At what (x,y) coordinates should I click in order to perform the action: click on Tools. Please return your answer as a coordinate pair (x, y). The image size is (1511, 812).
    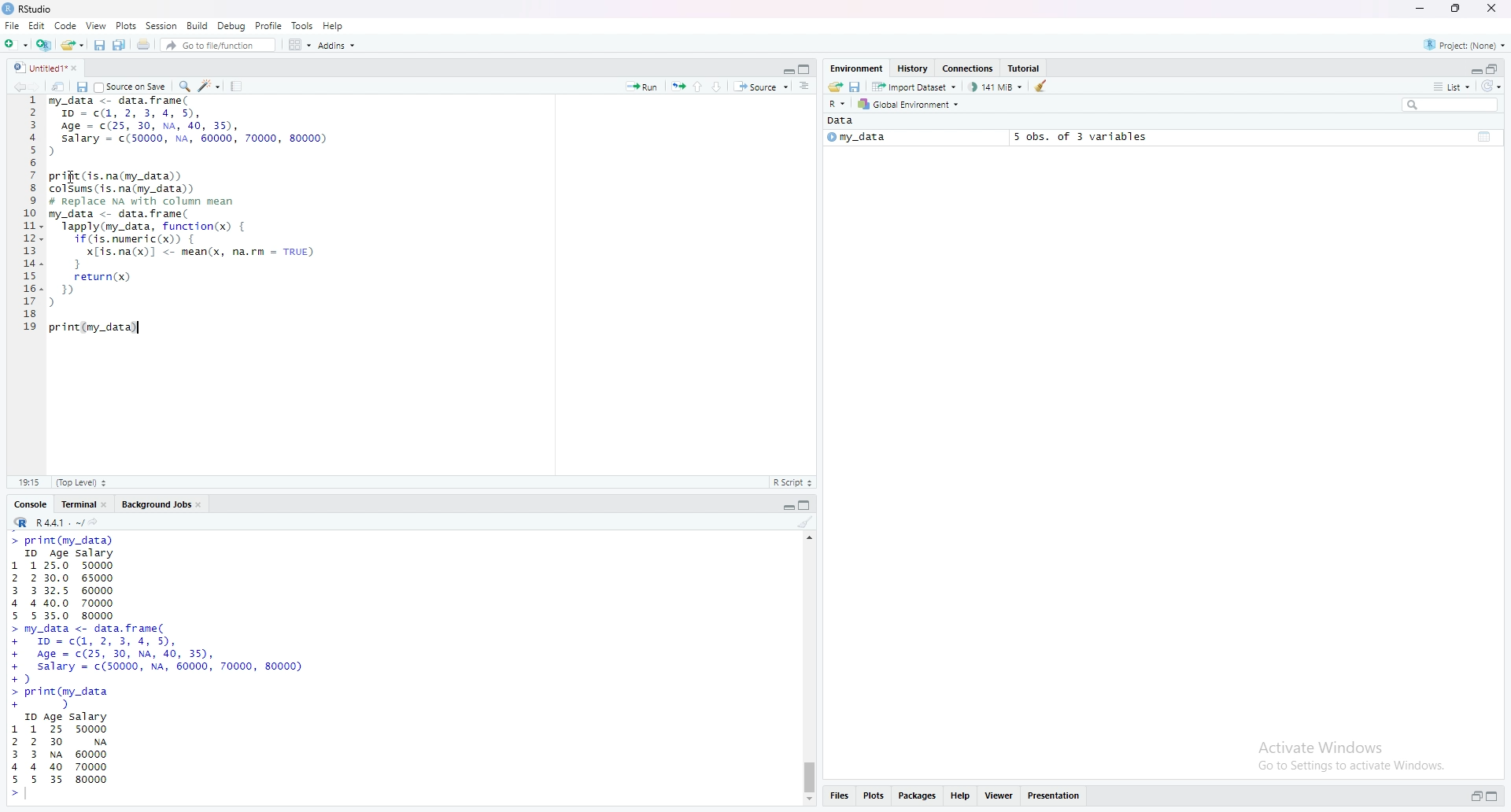
    Looking at the image, I should click on (303, 24).